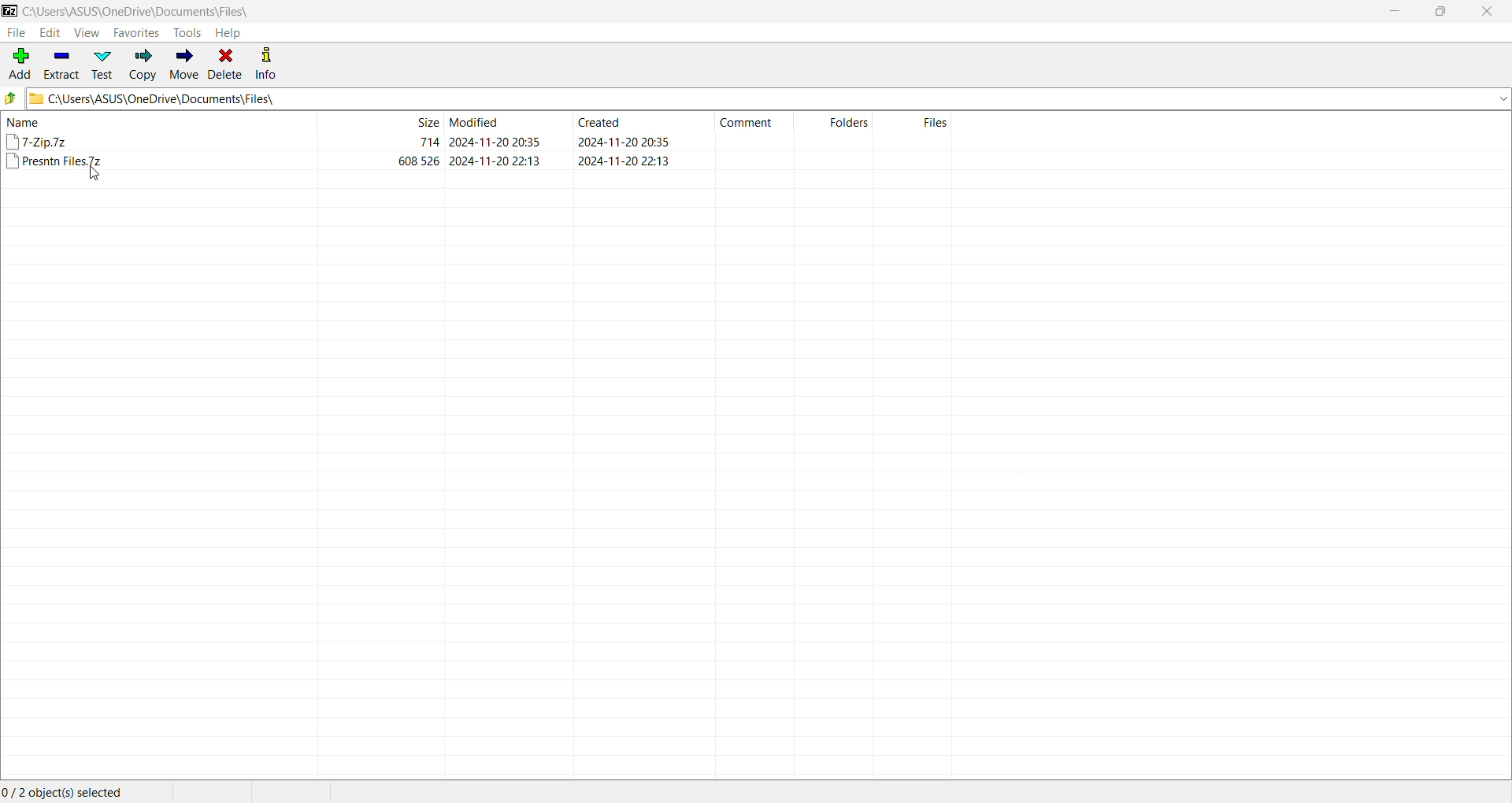  Describe the element at coordinates (38, 141) in the screenshot. I see `file` at that location.